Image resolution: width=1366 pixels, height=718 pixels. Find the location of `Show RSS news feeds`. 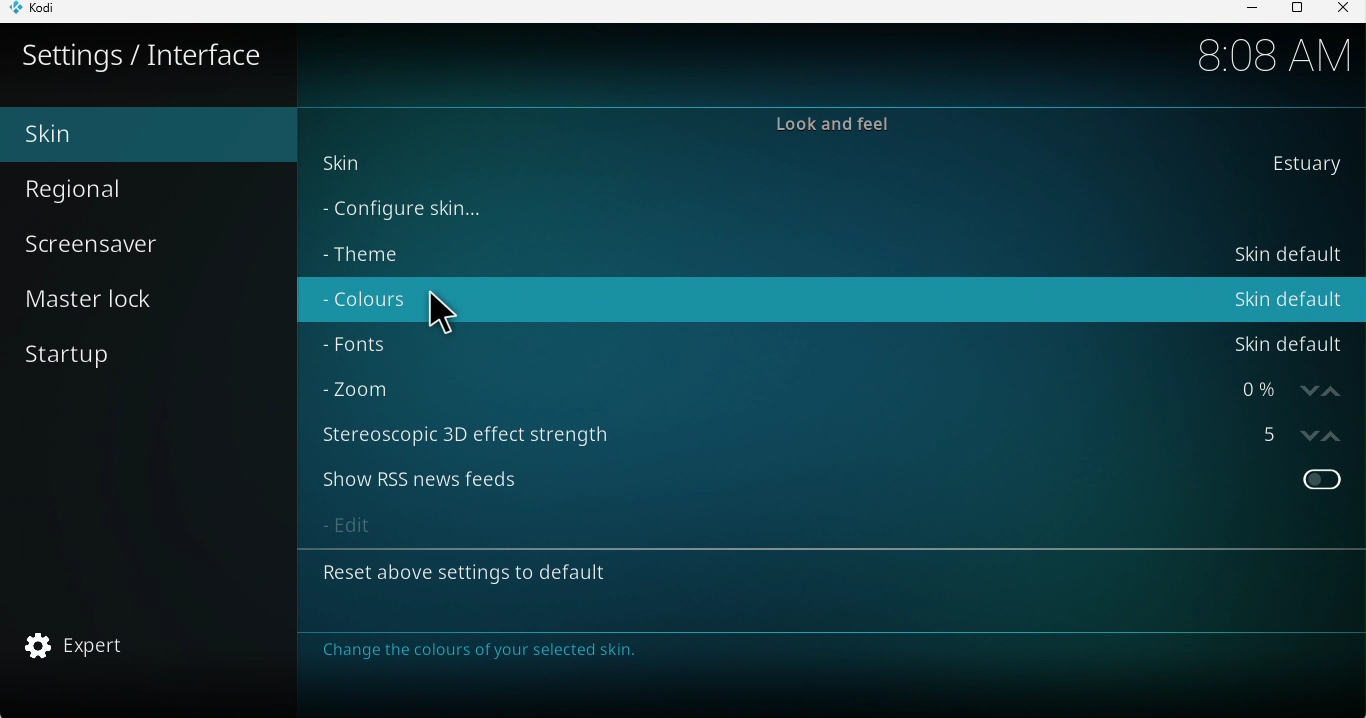

Show RSS news feeds is located at coordinates (828, 480).